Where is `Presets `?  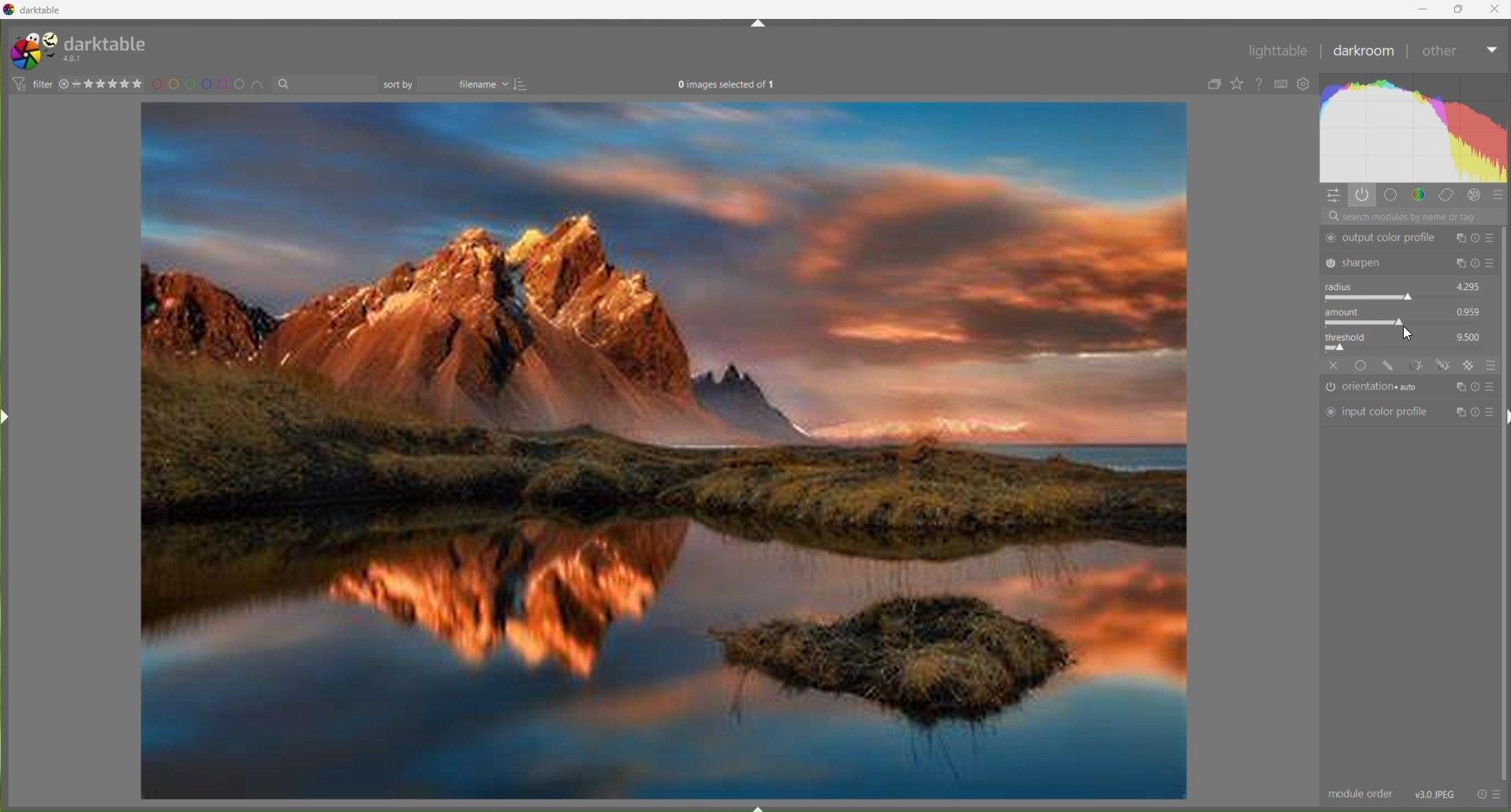 Presets  is located at coordinates (1491, 364).